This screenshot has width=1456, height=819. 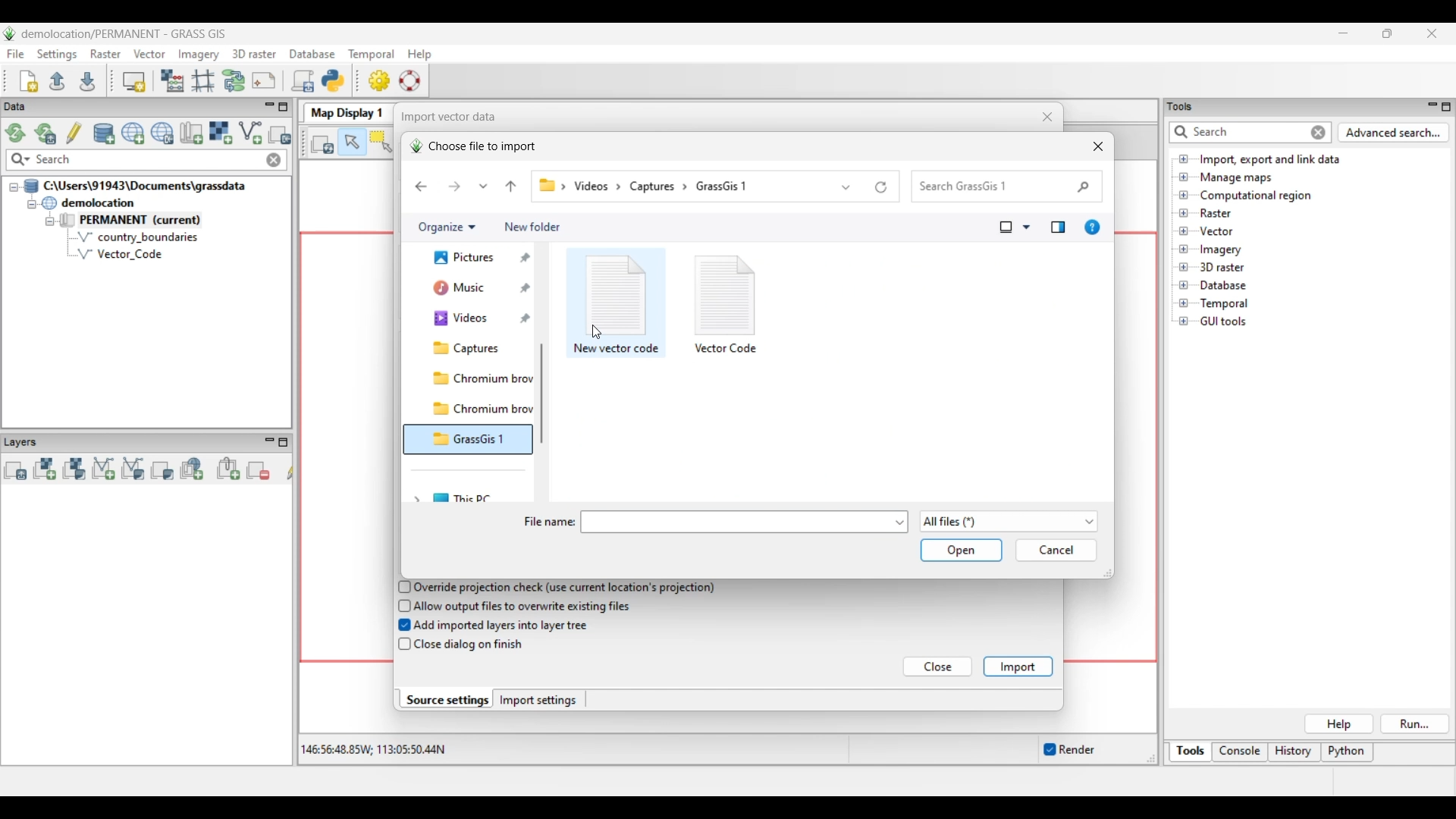 What do you see at coordinates (87, 80) in the screenshot?
I see `Save current workspace to file` at bounding box center [87, 80].